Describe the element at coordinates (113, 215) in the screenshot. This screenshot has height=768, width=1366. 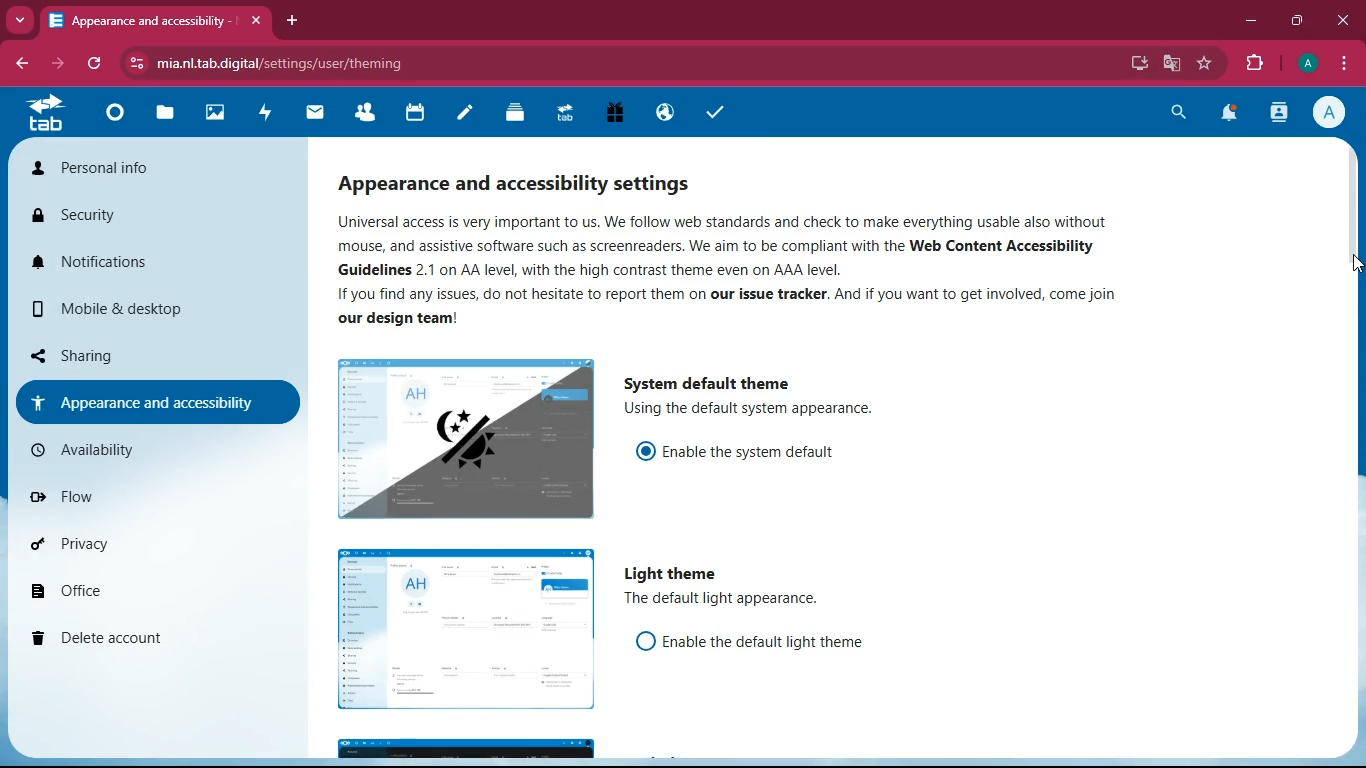
I see `security` at that location.